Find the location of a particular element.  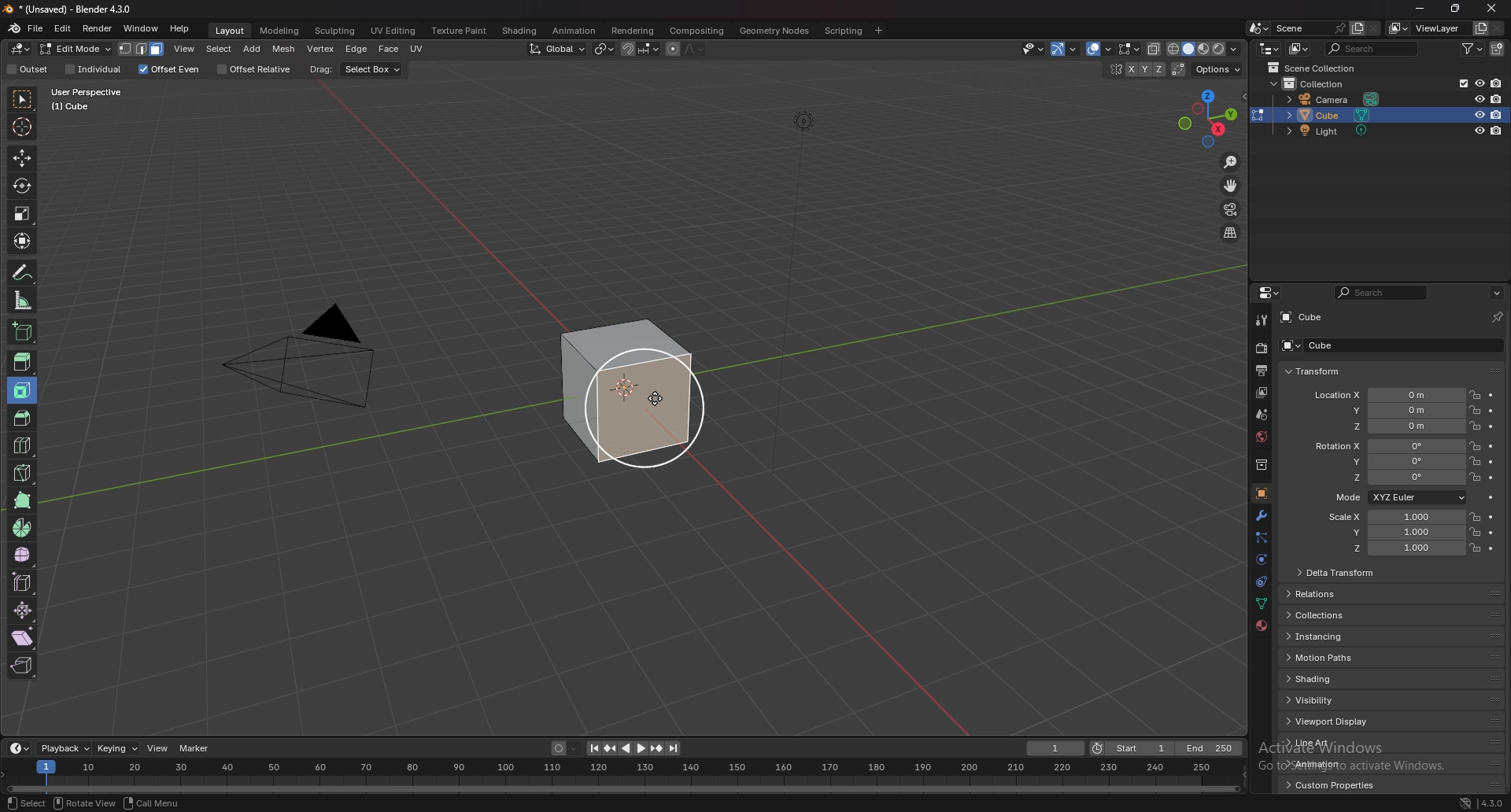

current frame is located at coordinates (1056, 748).